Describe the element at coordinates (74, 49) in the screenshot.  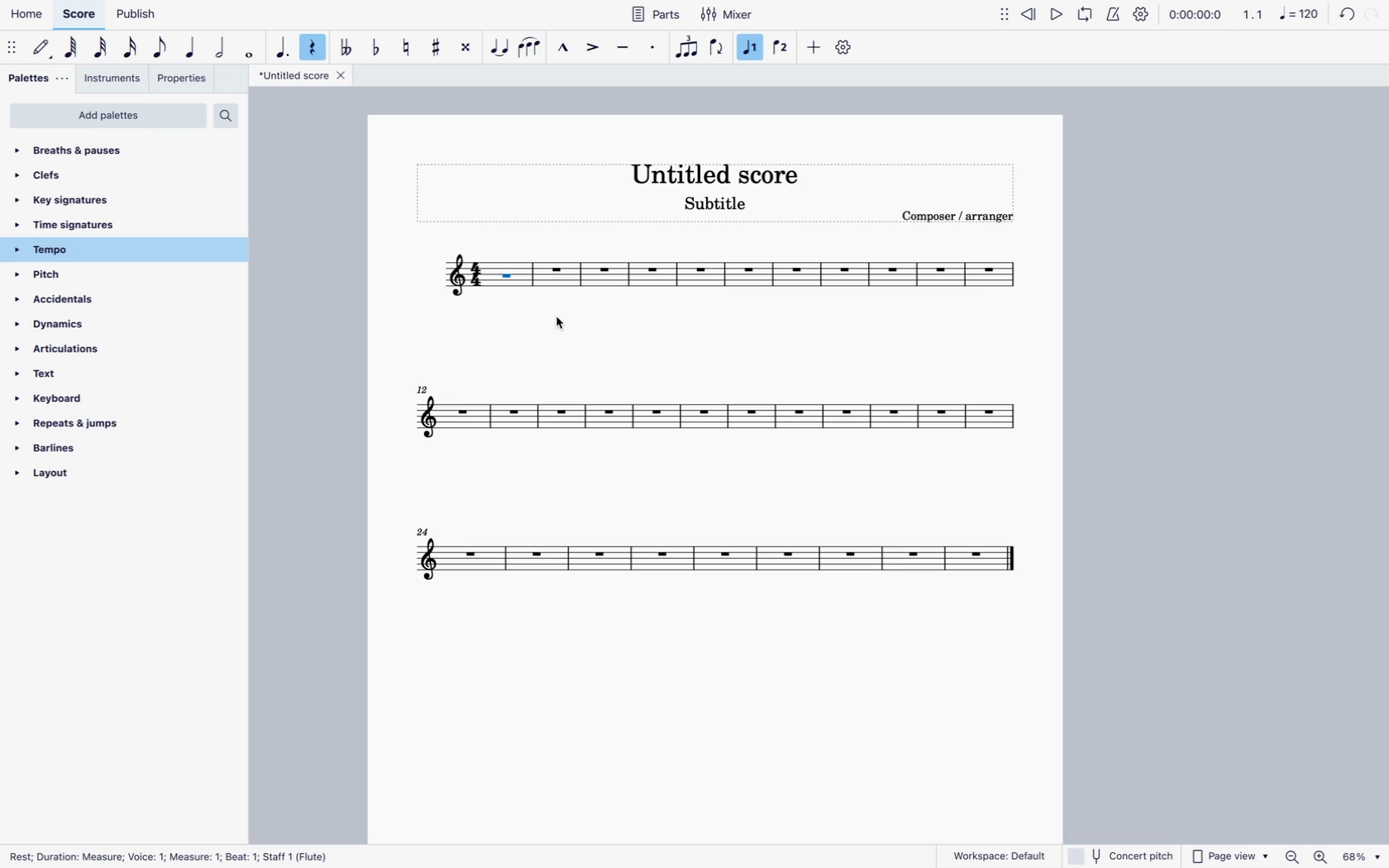
I see `64th note` at that location.